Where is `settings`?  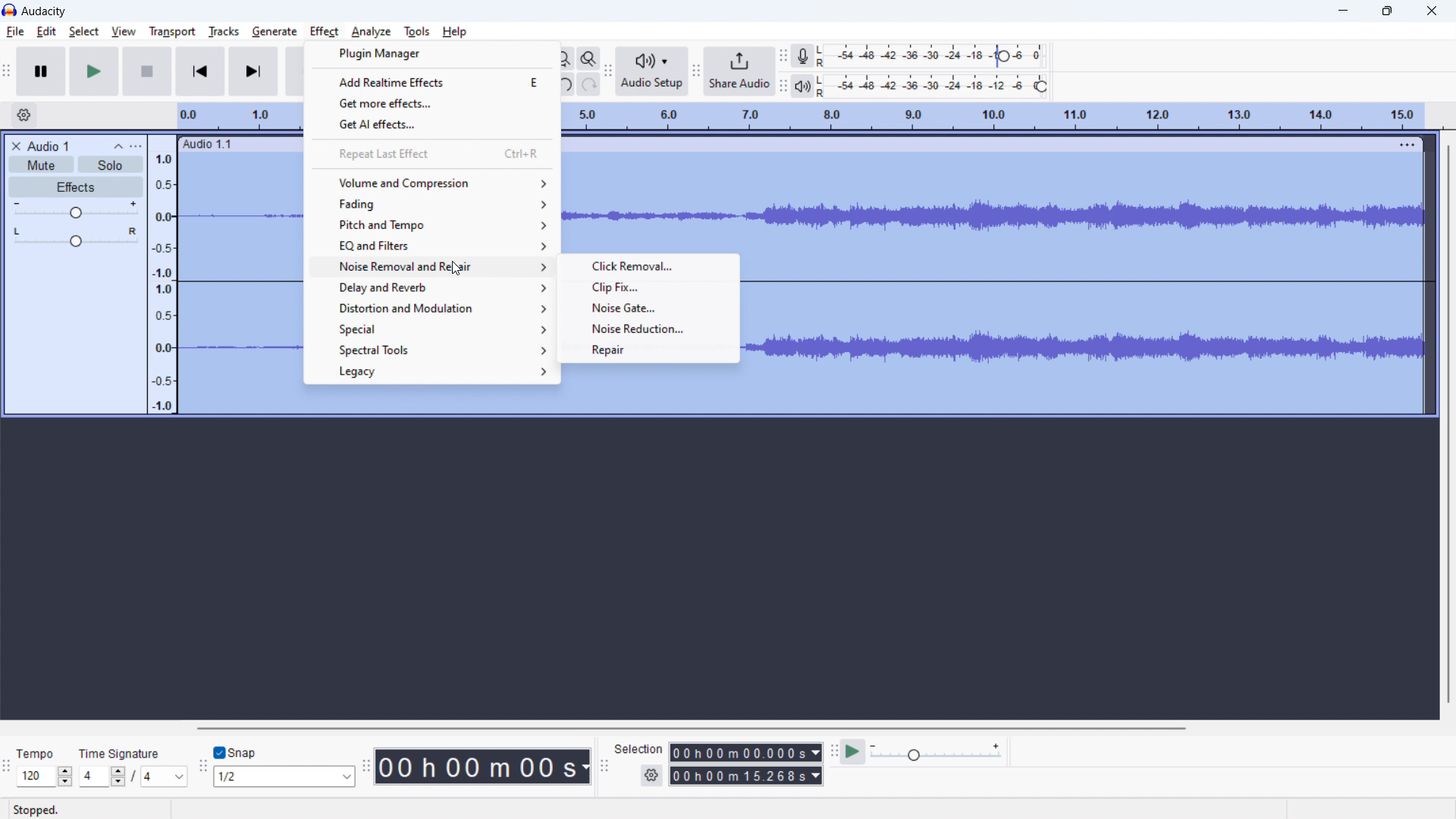 settings is located at coordinates (651, 776).